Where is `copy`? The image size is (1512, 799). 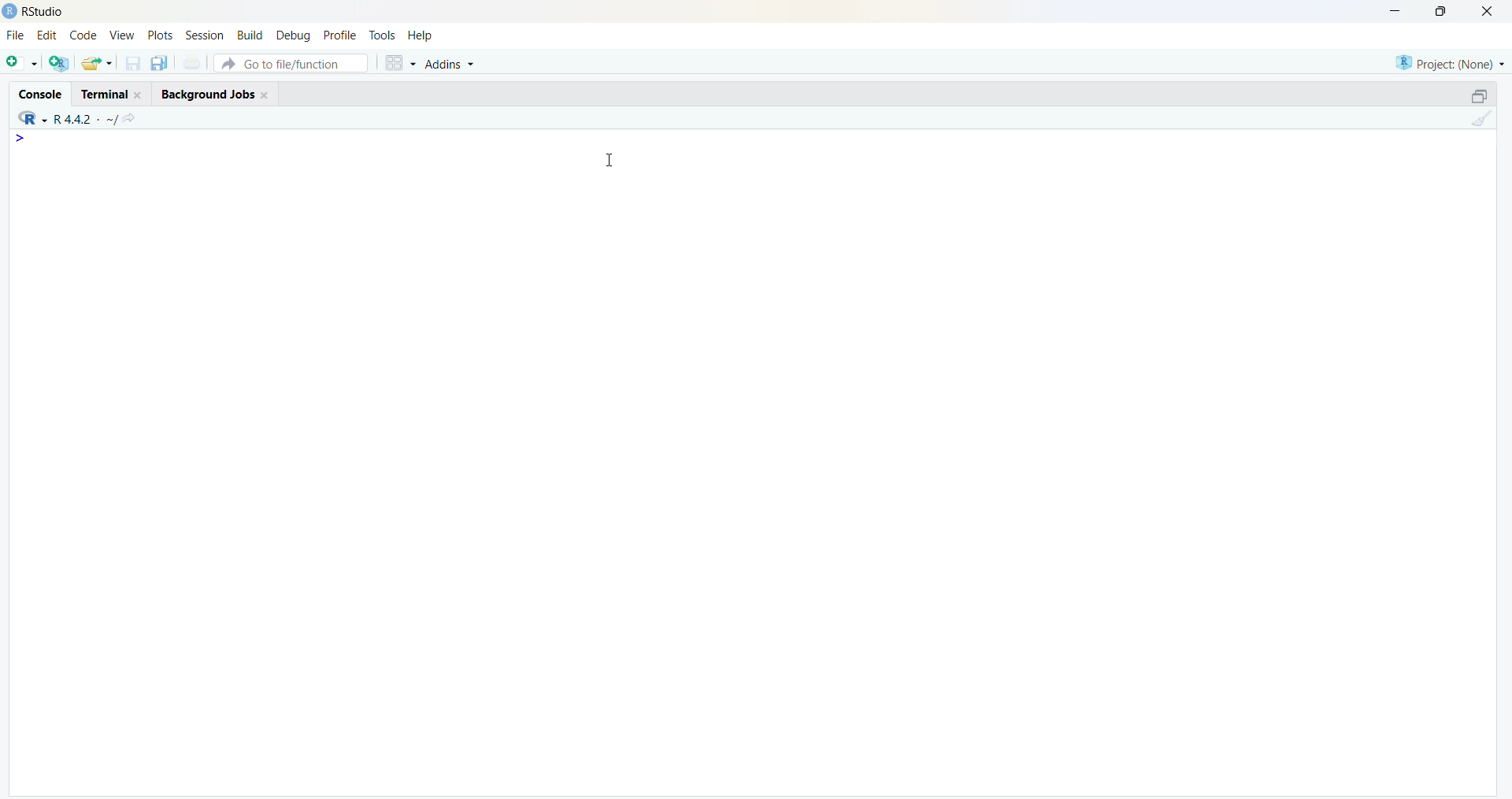 copy is located at coordinates (160, 63).